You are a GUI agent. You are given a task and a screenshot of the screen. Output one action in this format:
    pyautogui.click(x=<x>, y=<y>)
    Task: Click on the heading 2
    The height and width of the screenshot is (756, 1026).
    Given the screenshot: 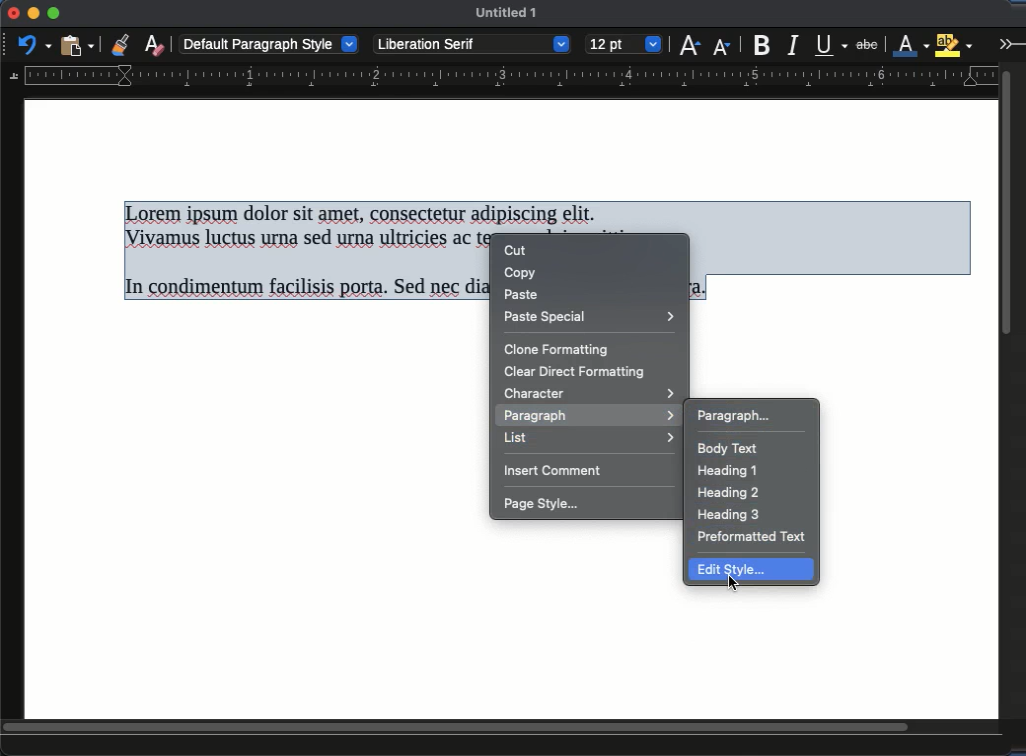 What is the action you would take?
    pyautogui.click(x=728, y=494)
    